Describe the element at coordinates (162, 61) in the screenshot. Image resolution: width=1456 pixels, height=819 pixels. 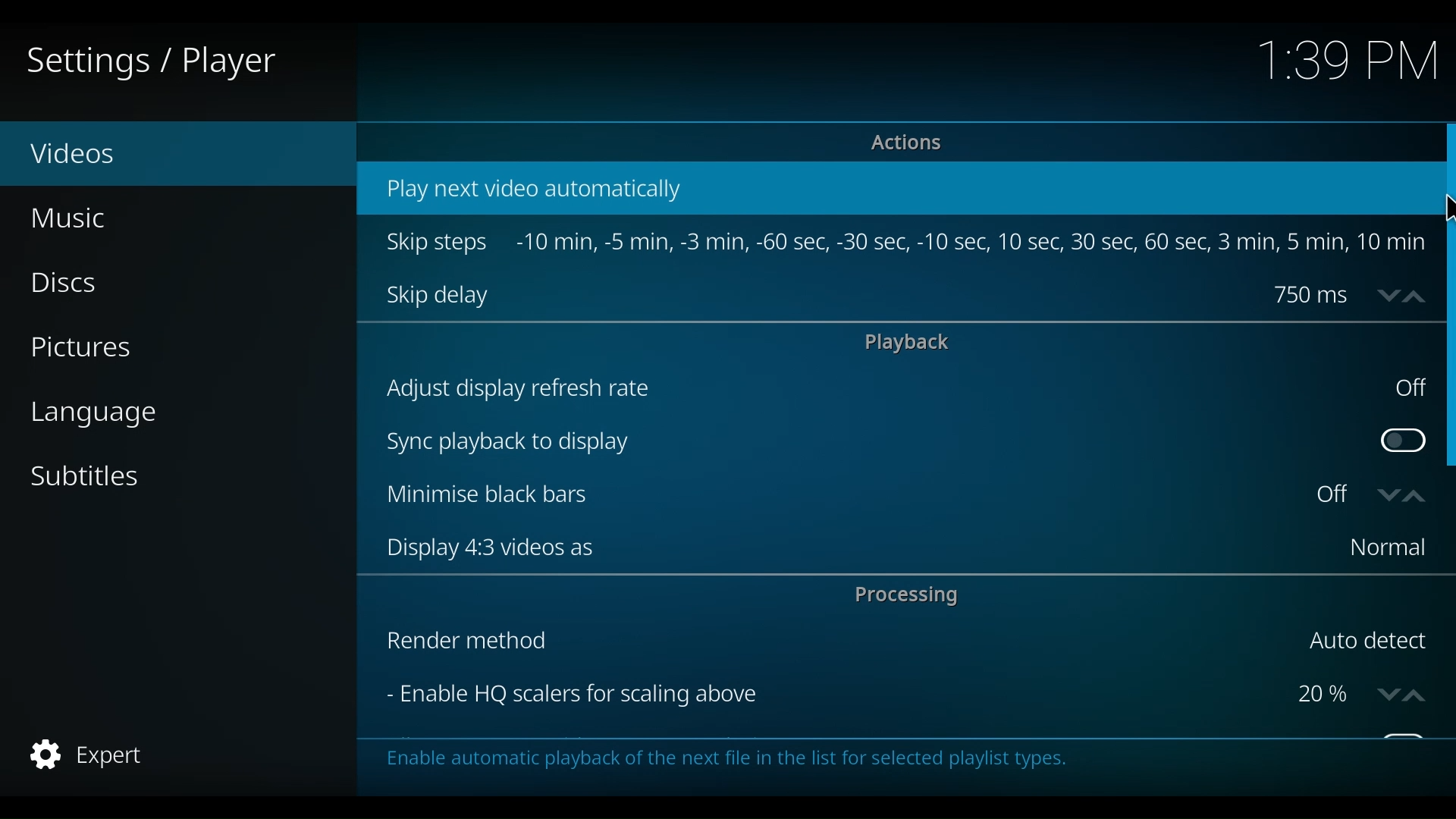
I see `Settings / Player` at that location.